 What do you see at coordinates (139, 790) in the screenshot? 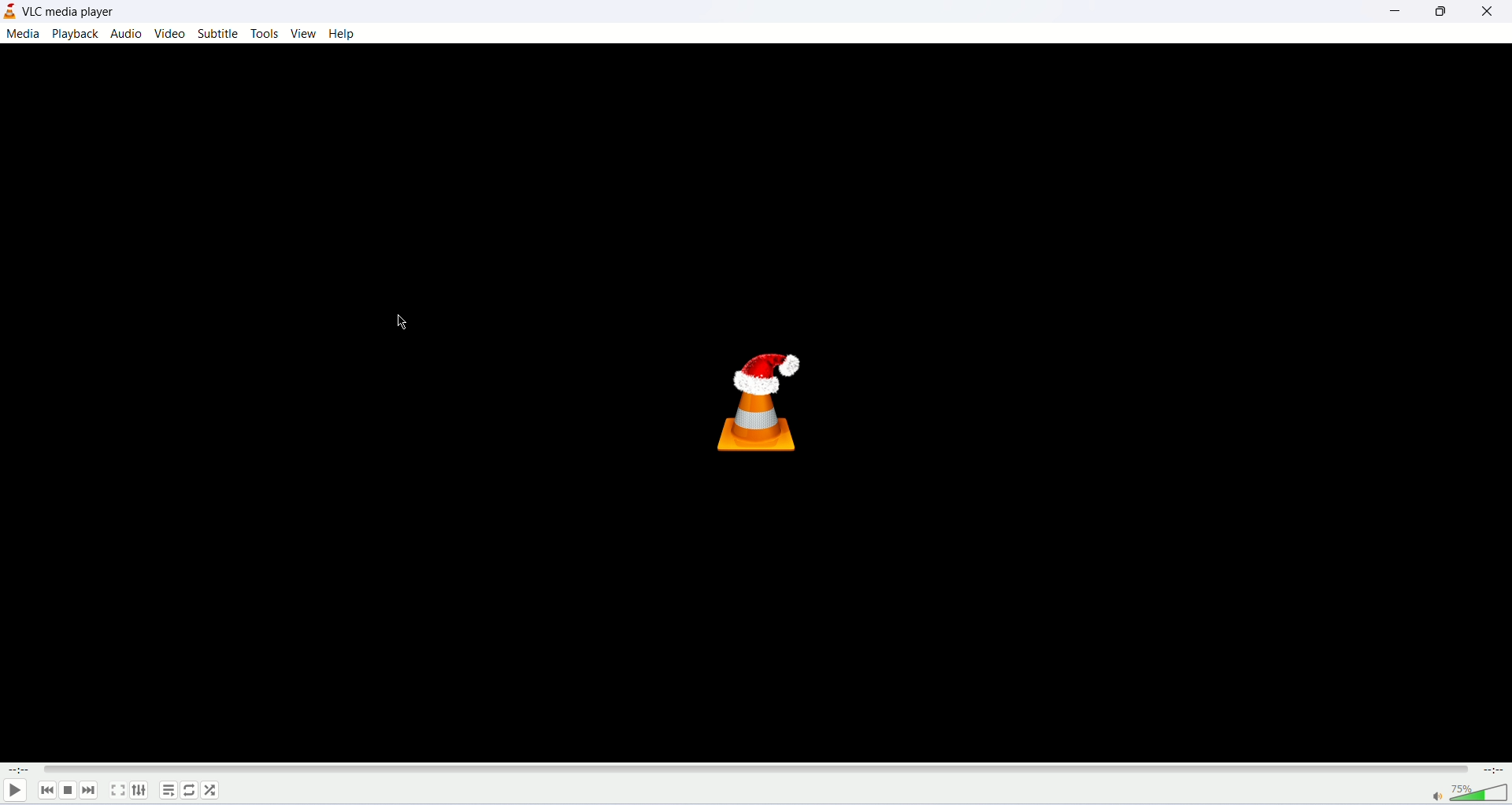
I see `extended settings` at bounding box center [139, 790].